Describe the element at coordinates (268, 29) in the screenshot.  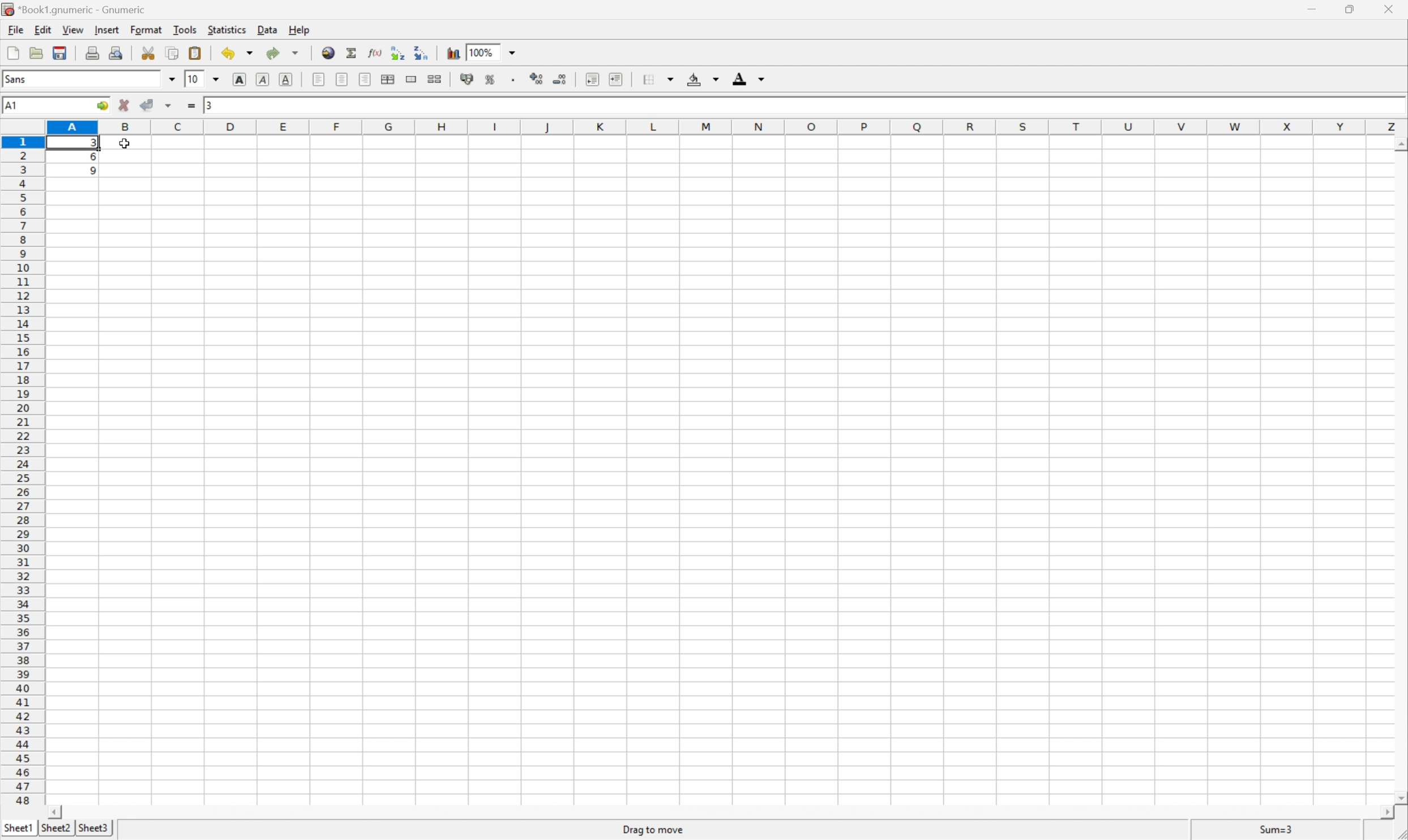
I see `Data` at that location.